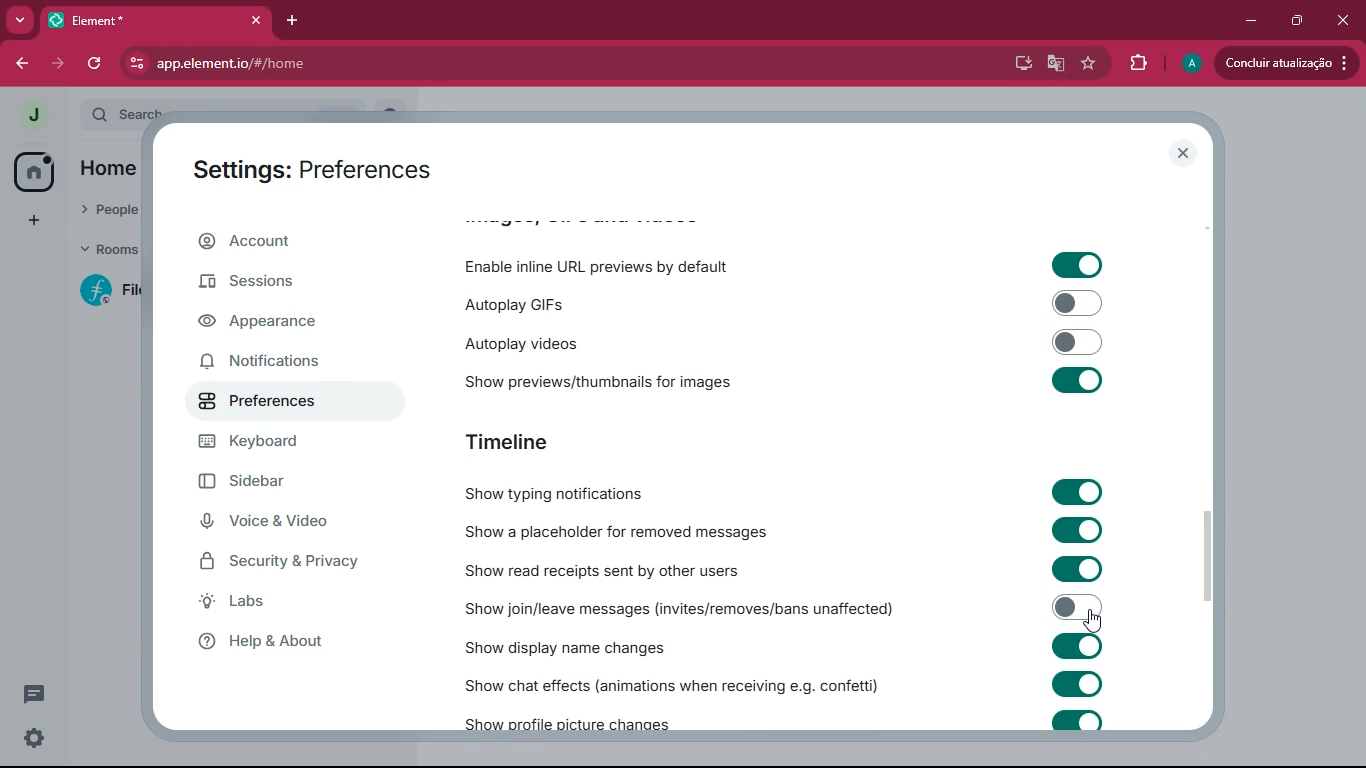 This screenshot has height=768, width=1366. I want to click on show a placeholder for removed messages, so click(616, 533).